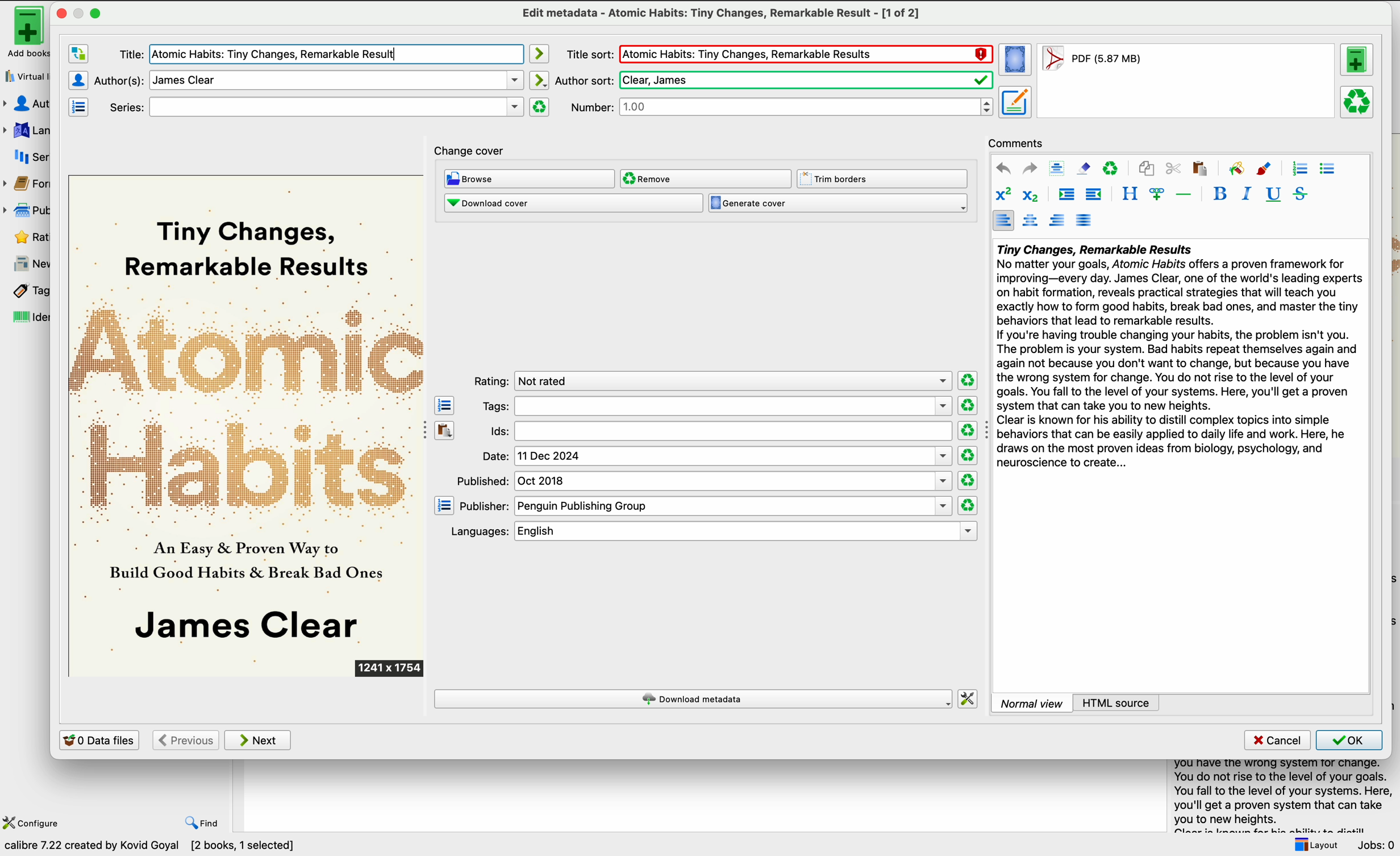 This screenshot has height=856, width=1400. Describe the element at coordinates (1084, 168) in the screenshot. I see `remove formatting` at that location.